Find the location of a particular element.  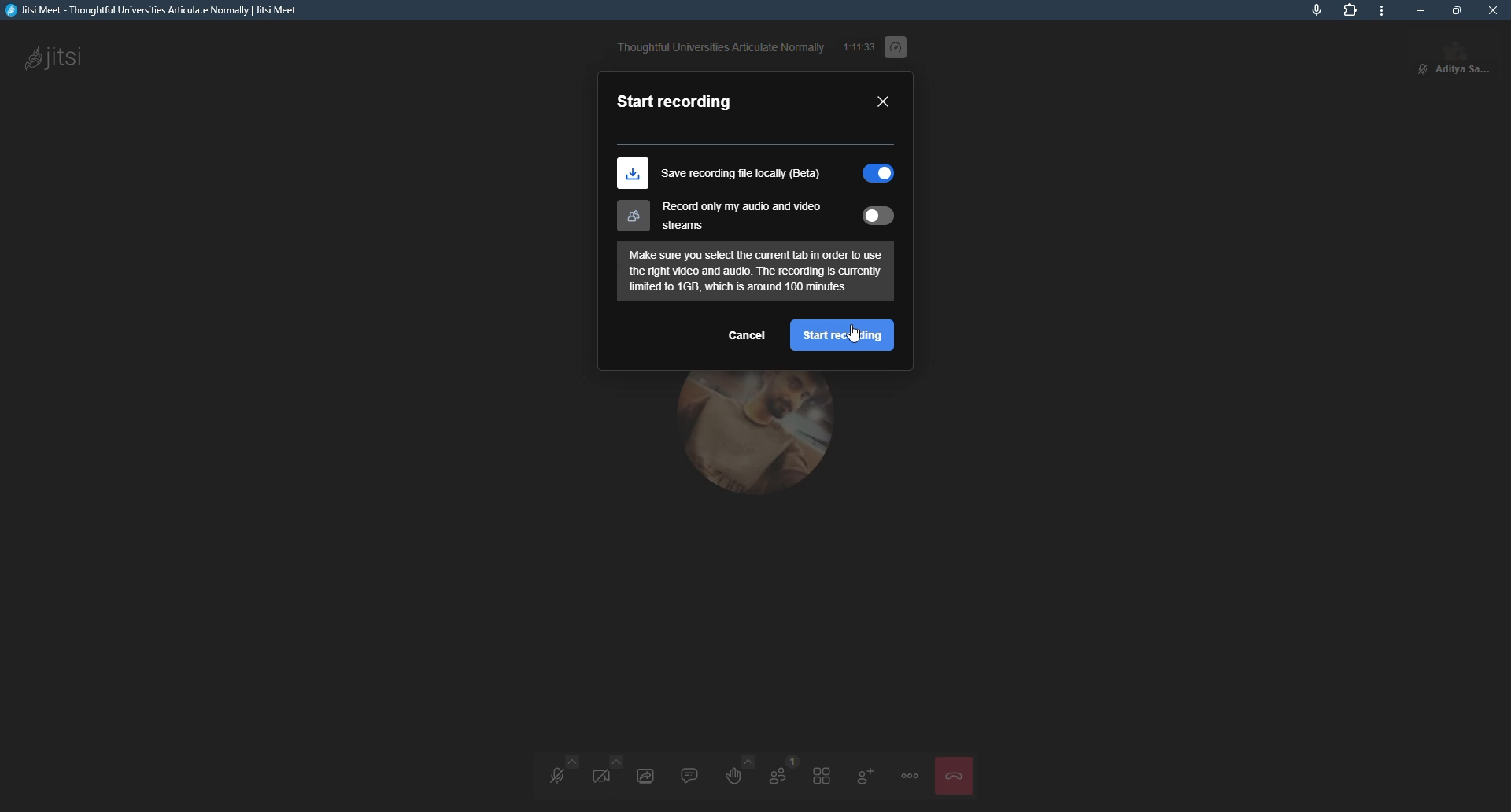

toggle is located at coordinates (874, 173).